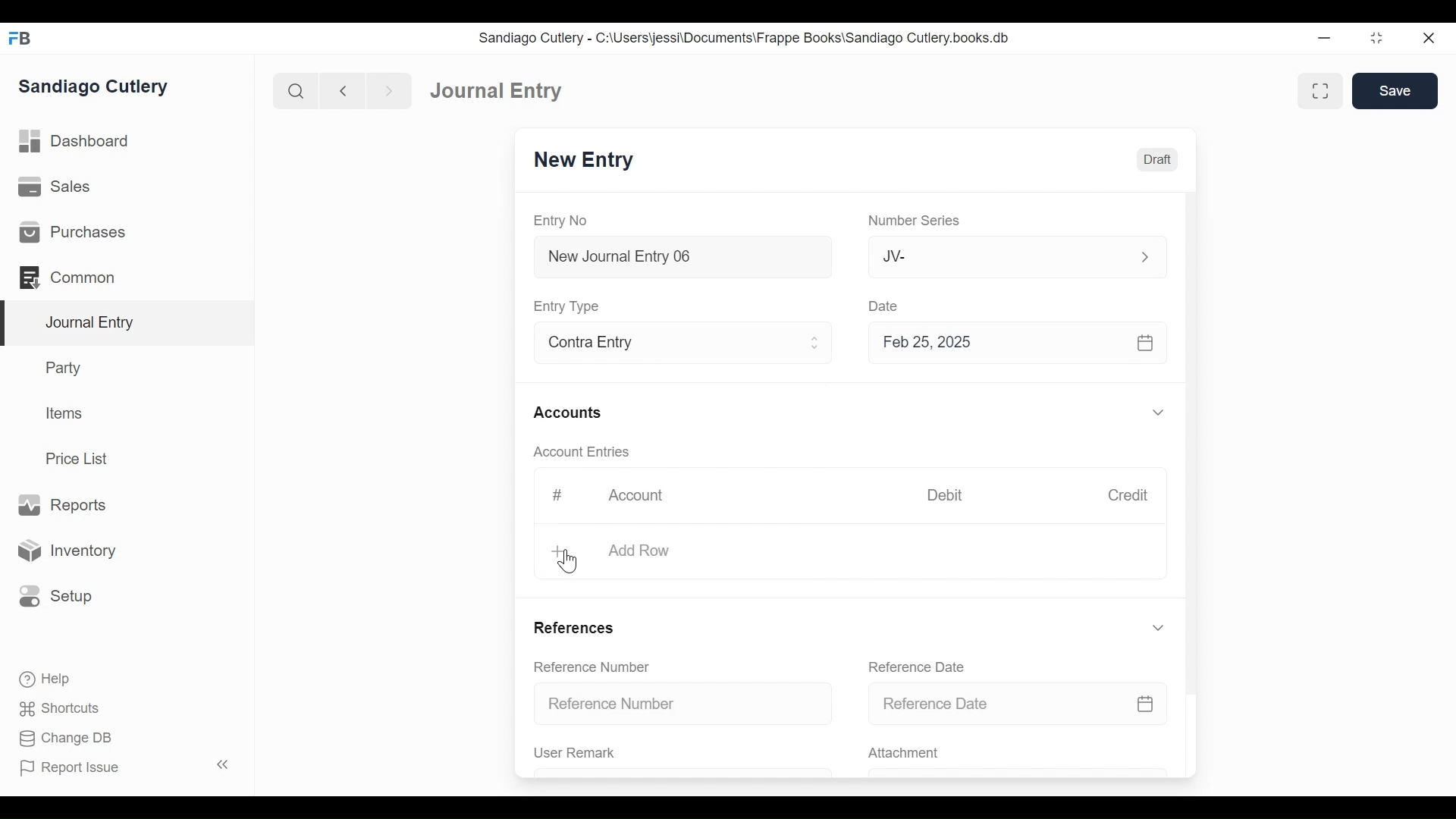  What do you see at coordinates (67, 367) in the screenshot?
I see `Party` at bounding box center [67, 367].